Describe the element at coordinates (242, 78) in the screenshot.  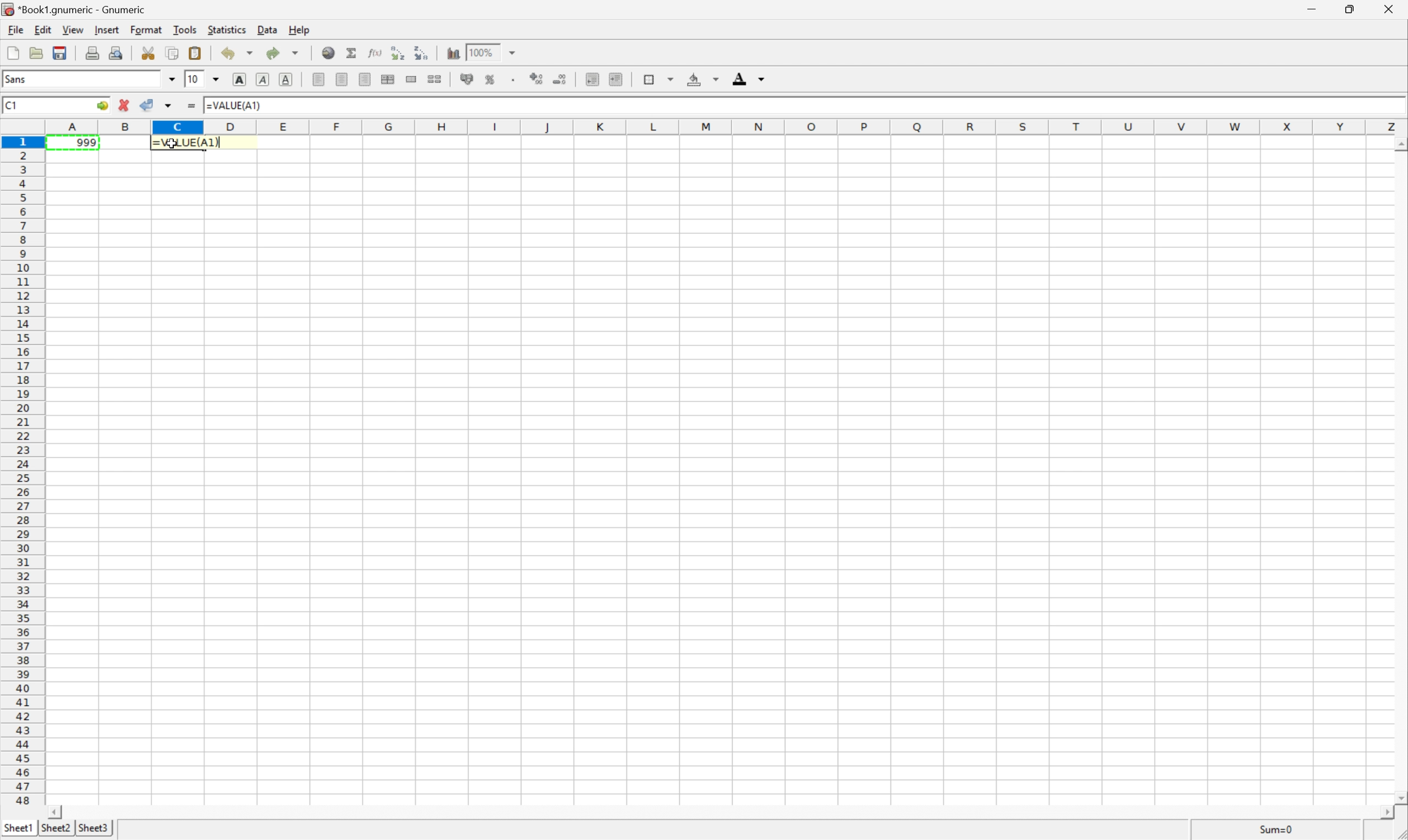
I see `bold` at that location.